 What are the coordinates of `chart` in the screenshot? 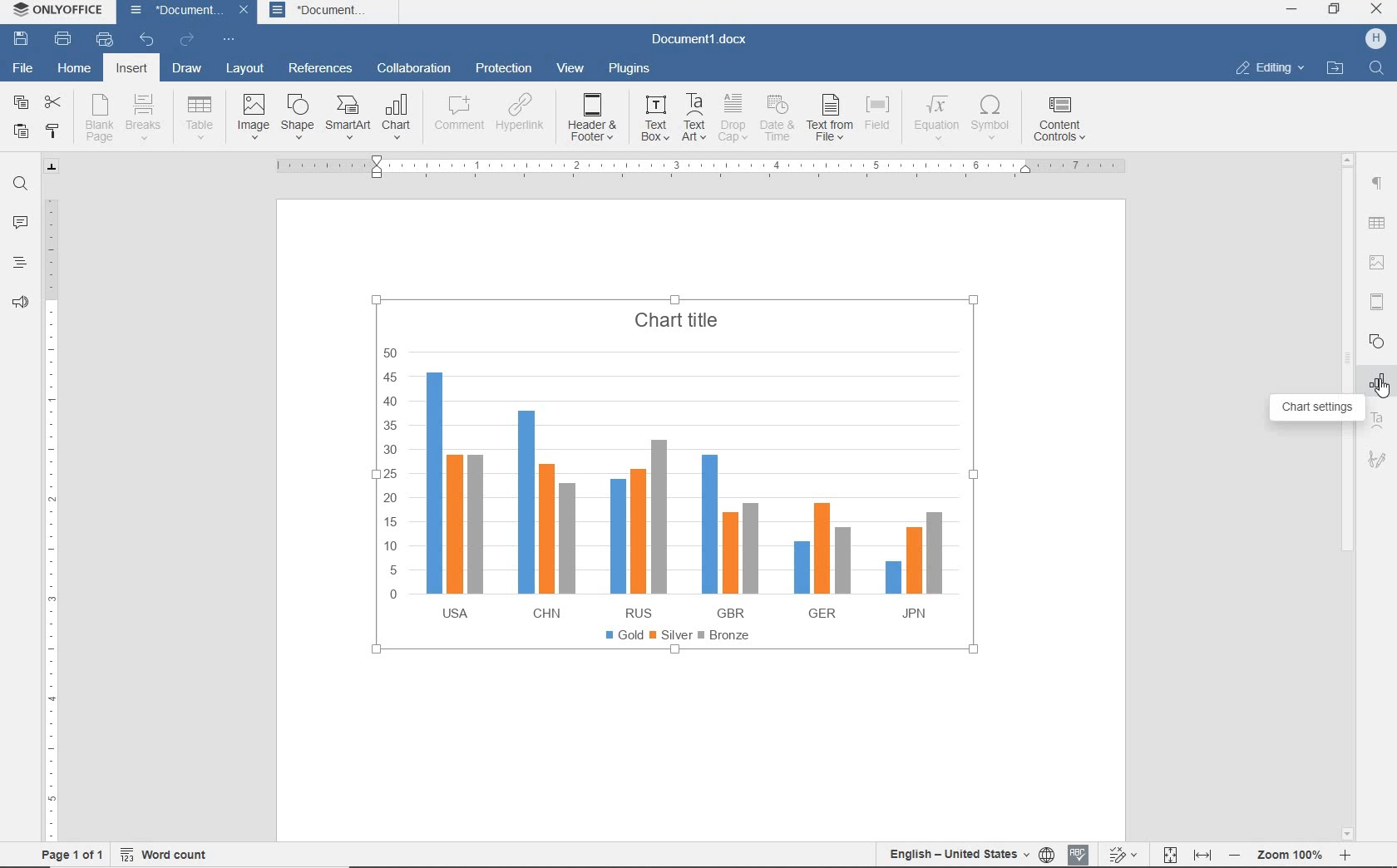 It's located at (668, 481).